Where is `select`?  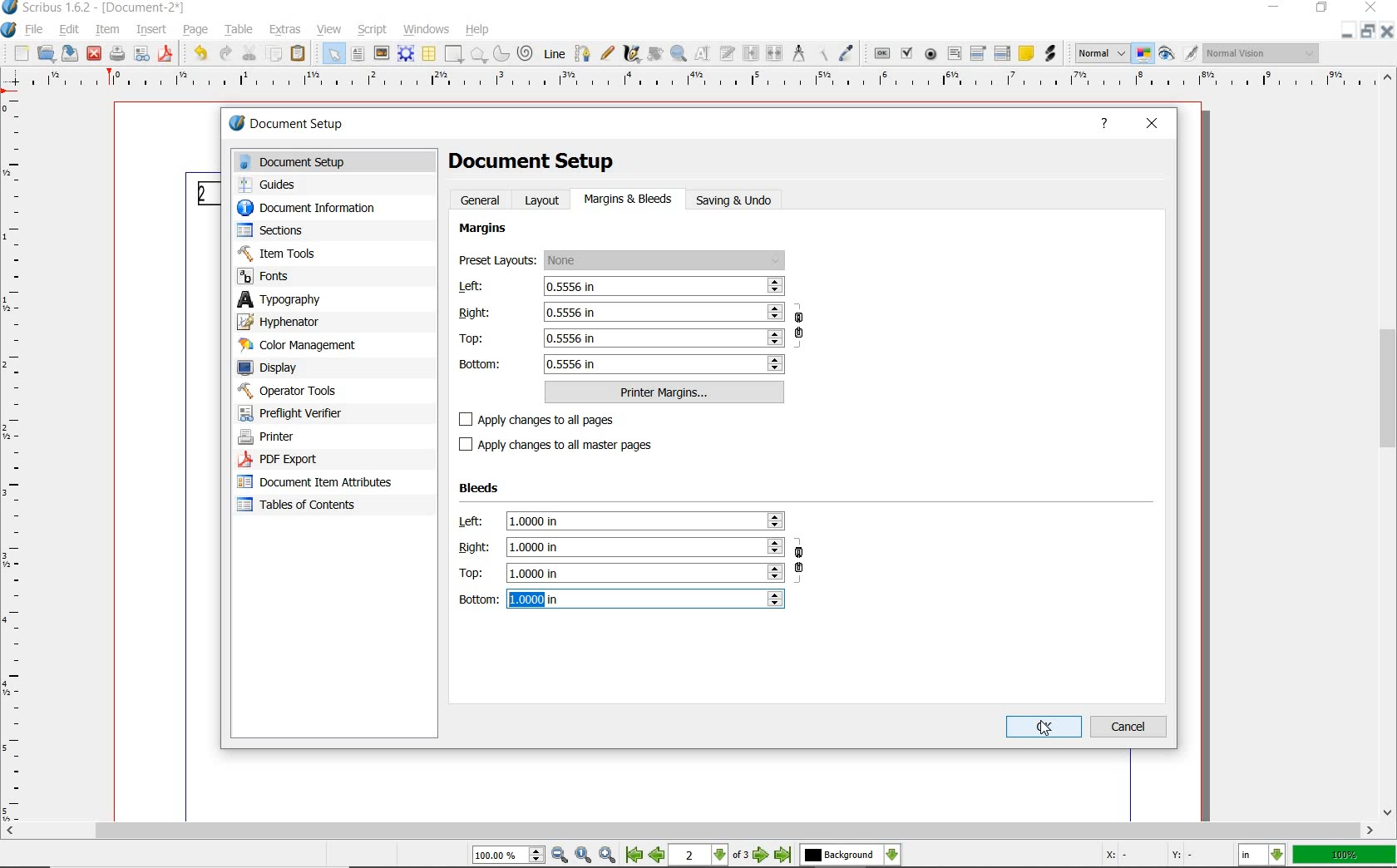 select is located at coordinates (334, 57).